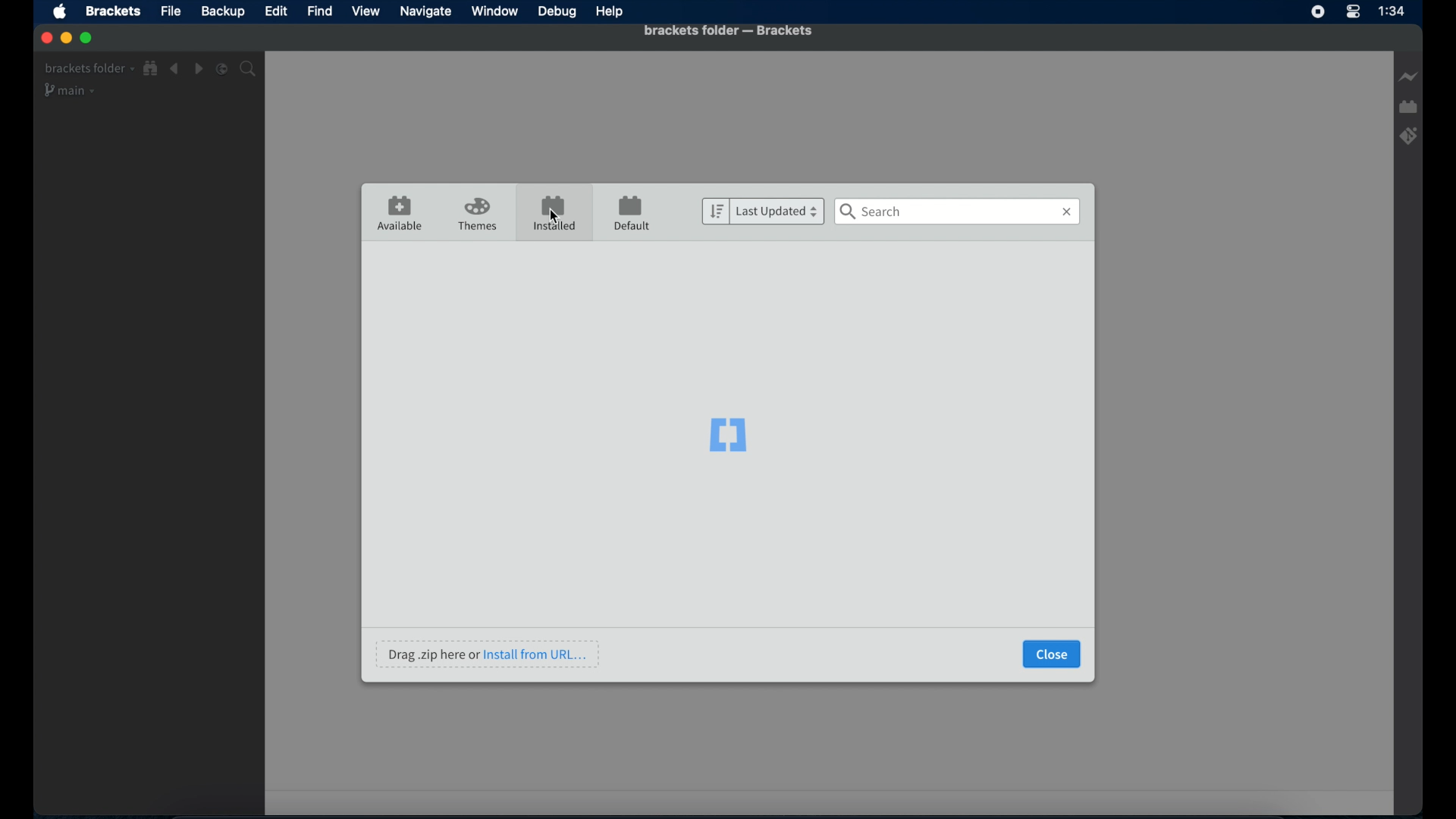 This screenshot has height=819, width=1456. I want to click on Time, so click(1392, 11).